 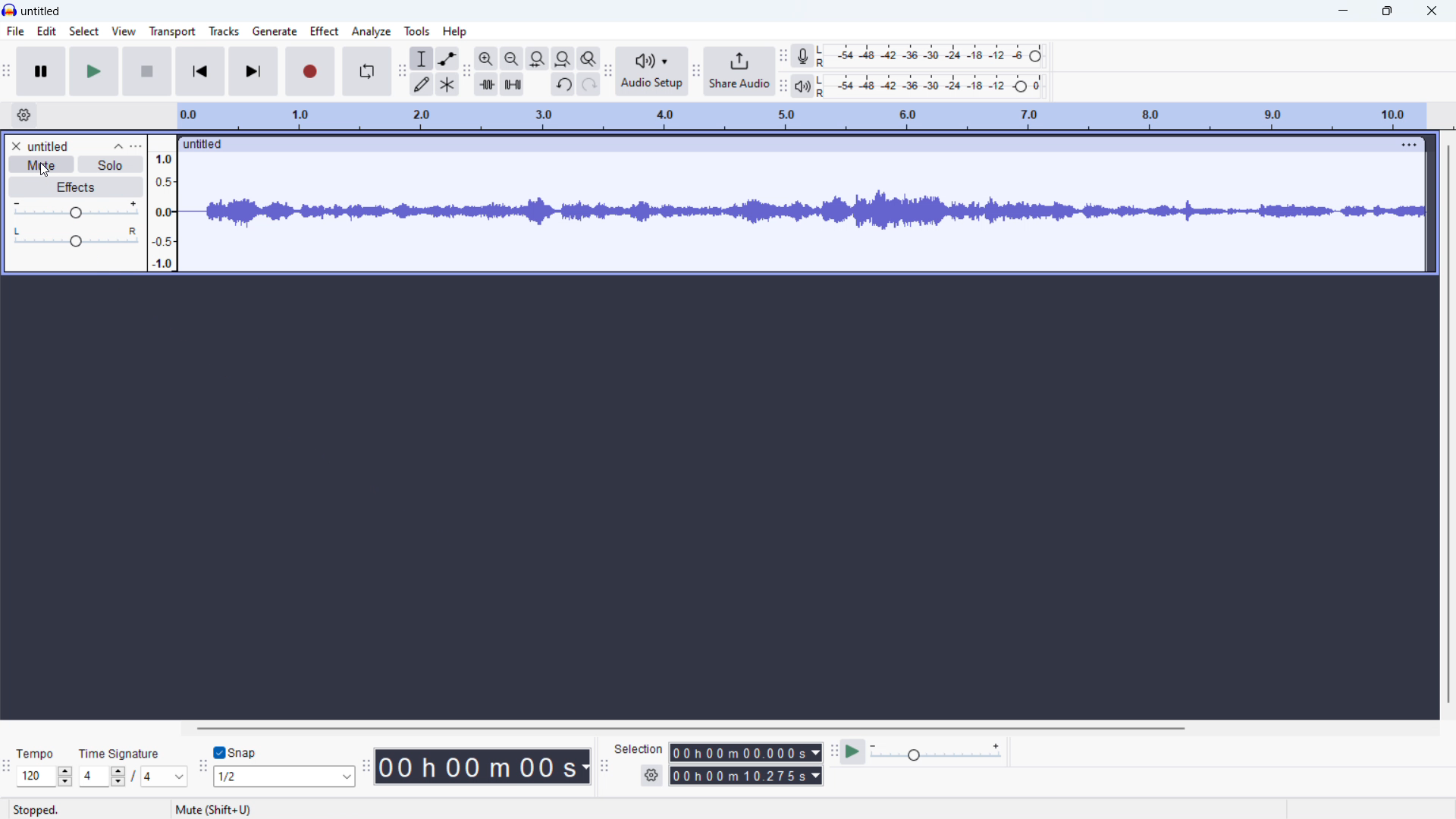 I want to click on click to move, so click(x=777, y=145).